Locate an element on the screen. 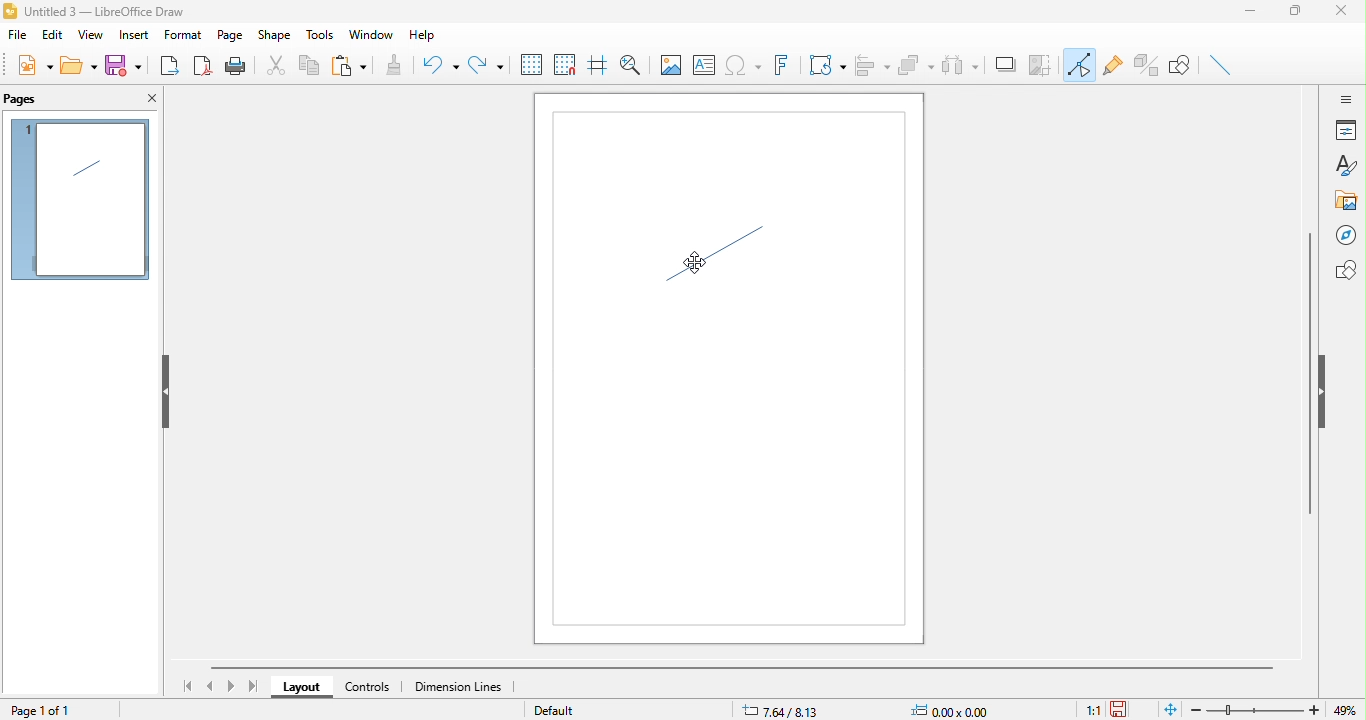 Image resolution: width=1366 pixels, height=720 pixels. fit to the current page is located at coordinates (1168, 709).